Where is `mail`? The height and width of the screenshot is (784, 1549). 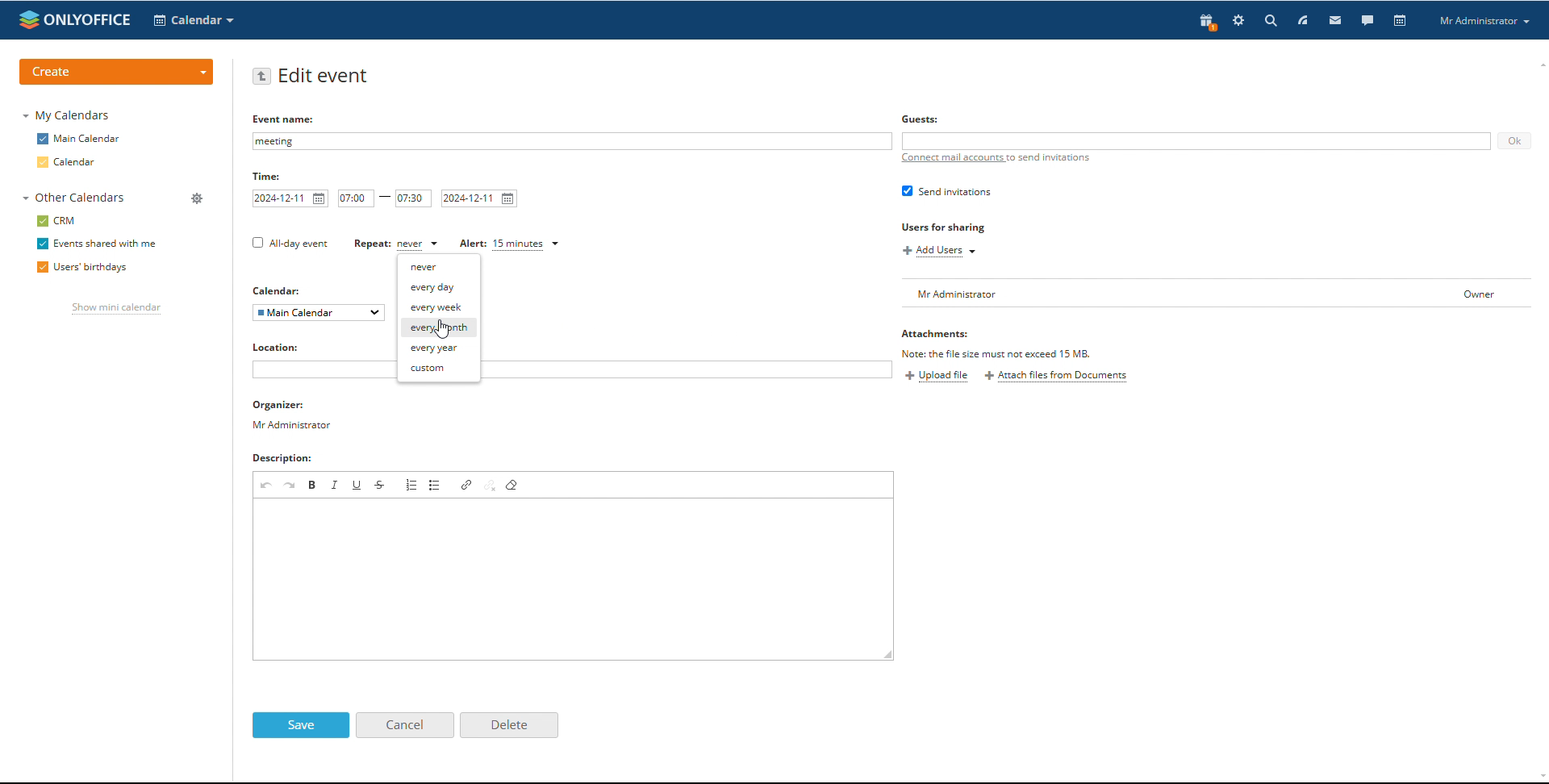
mail is located at coordinates (1336, 20).